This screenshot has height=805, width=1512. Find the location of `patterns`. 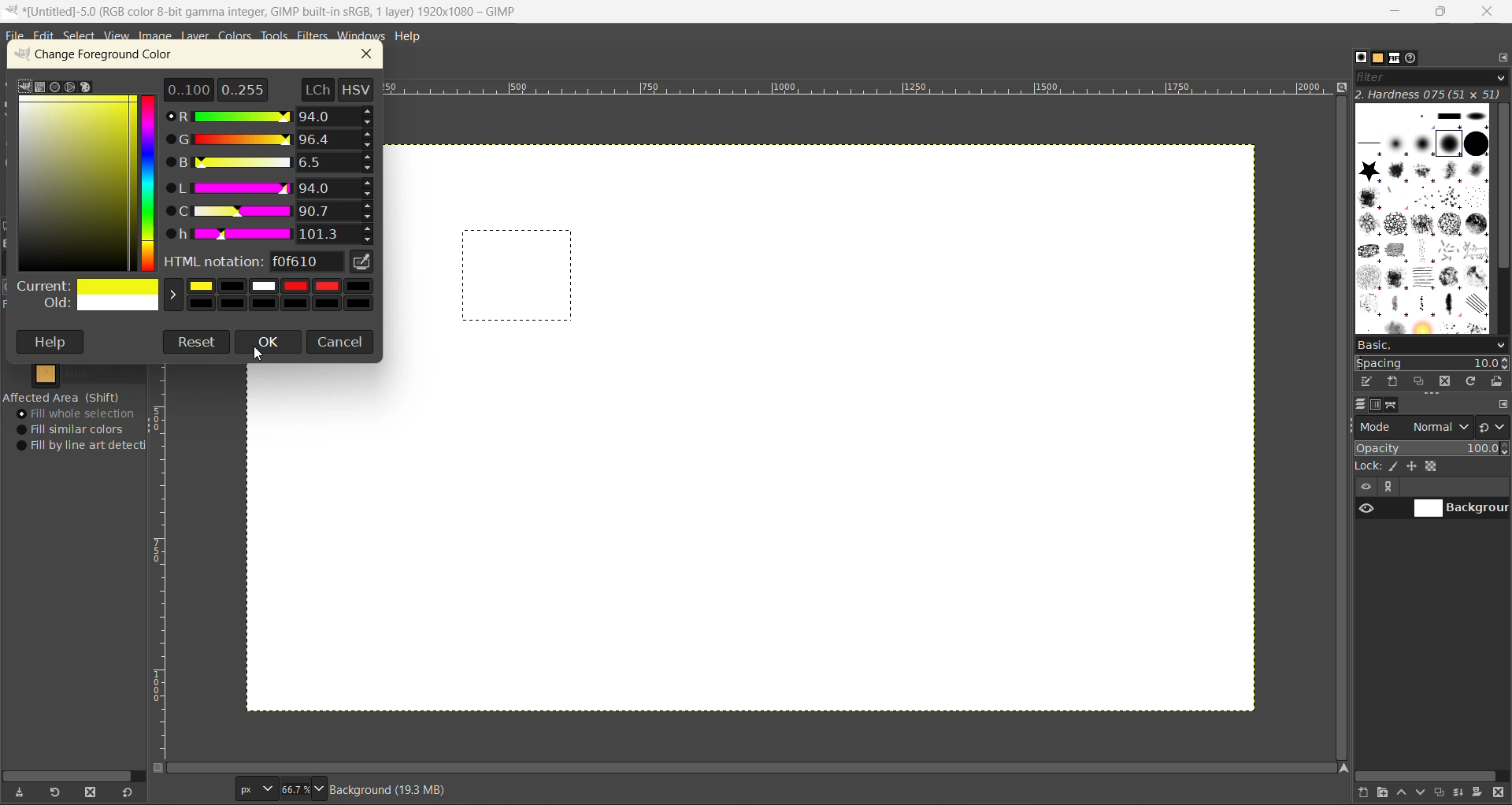

patterns is located at coordinates (1378, 60).